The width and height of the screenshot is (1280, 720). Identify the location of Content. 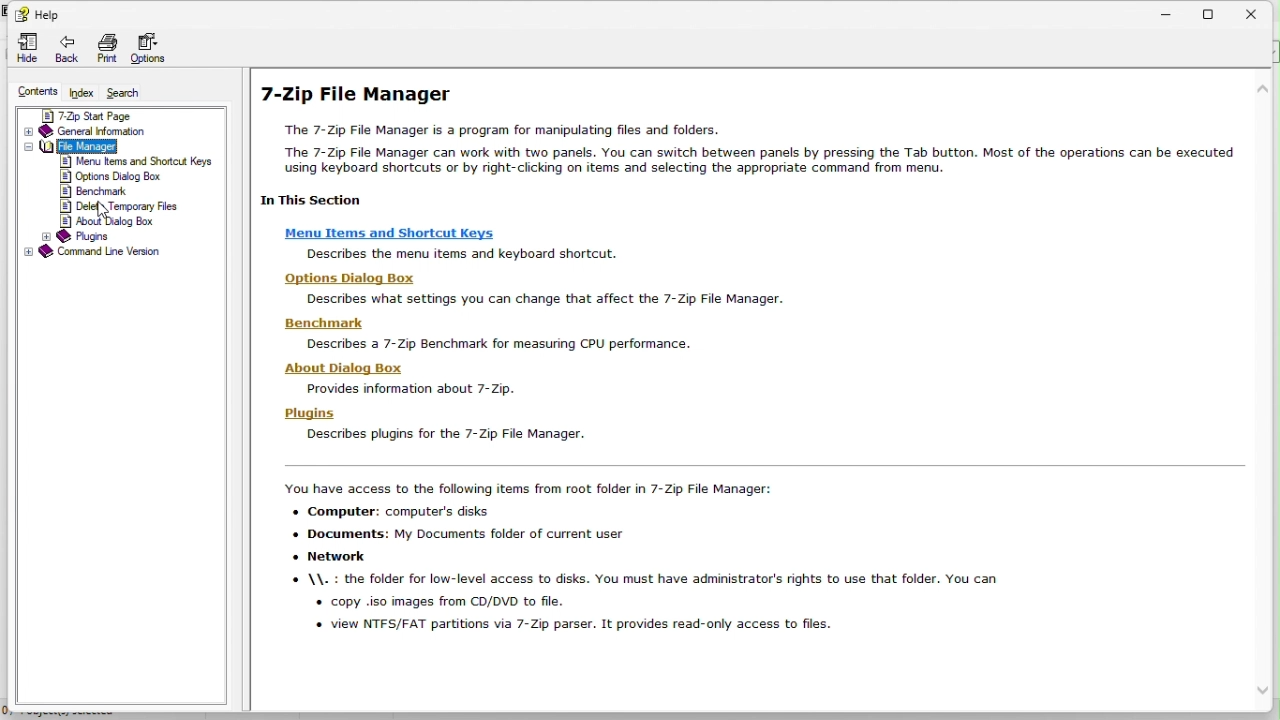
(31, 93).